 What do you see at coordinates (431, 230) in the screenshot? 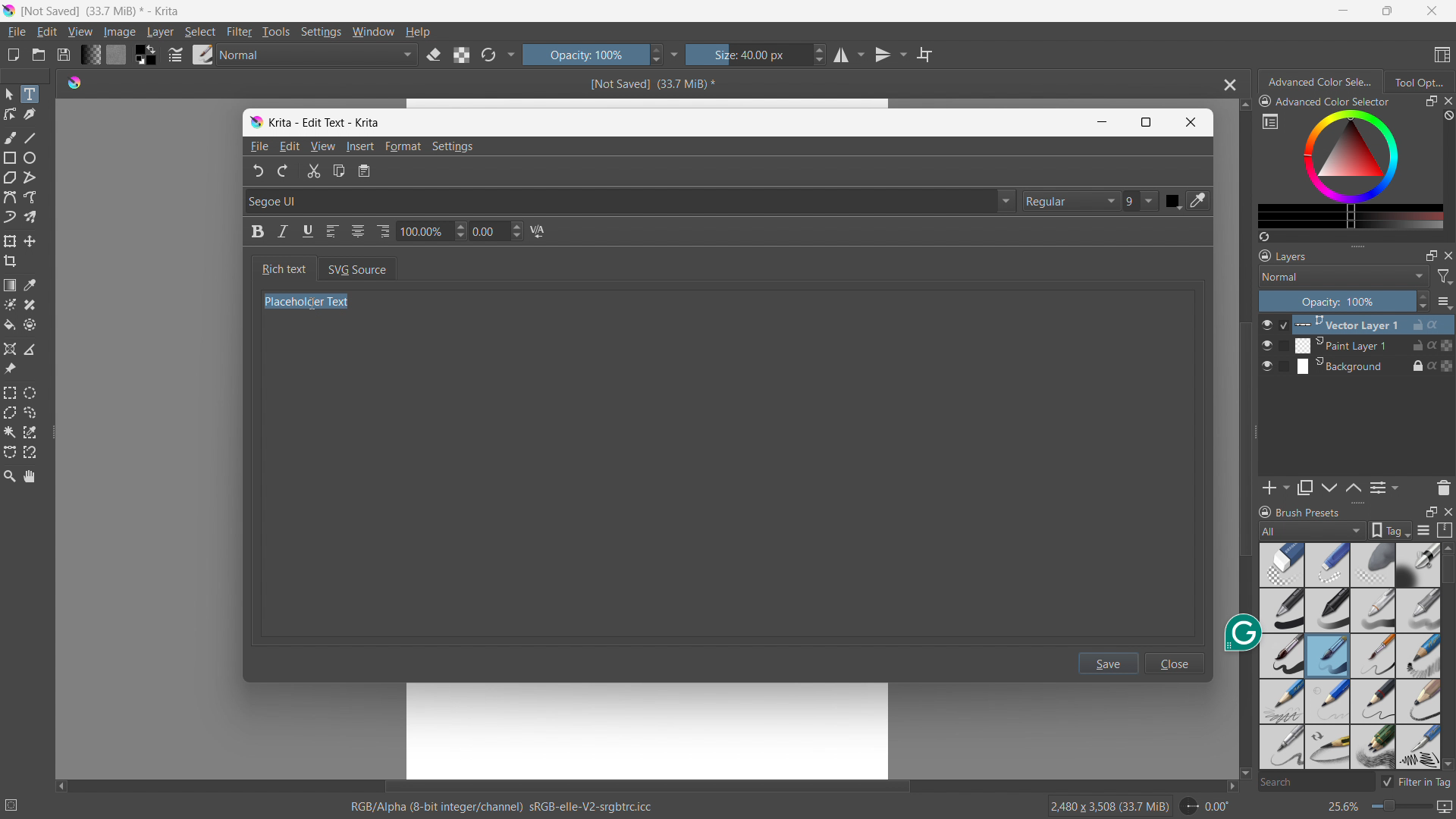
I see `line height` at bounding box center [431, 230].